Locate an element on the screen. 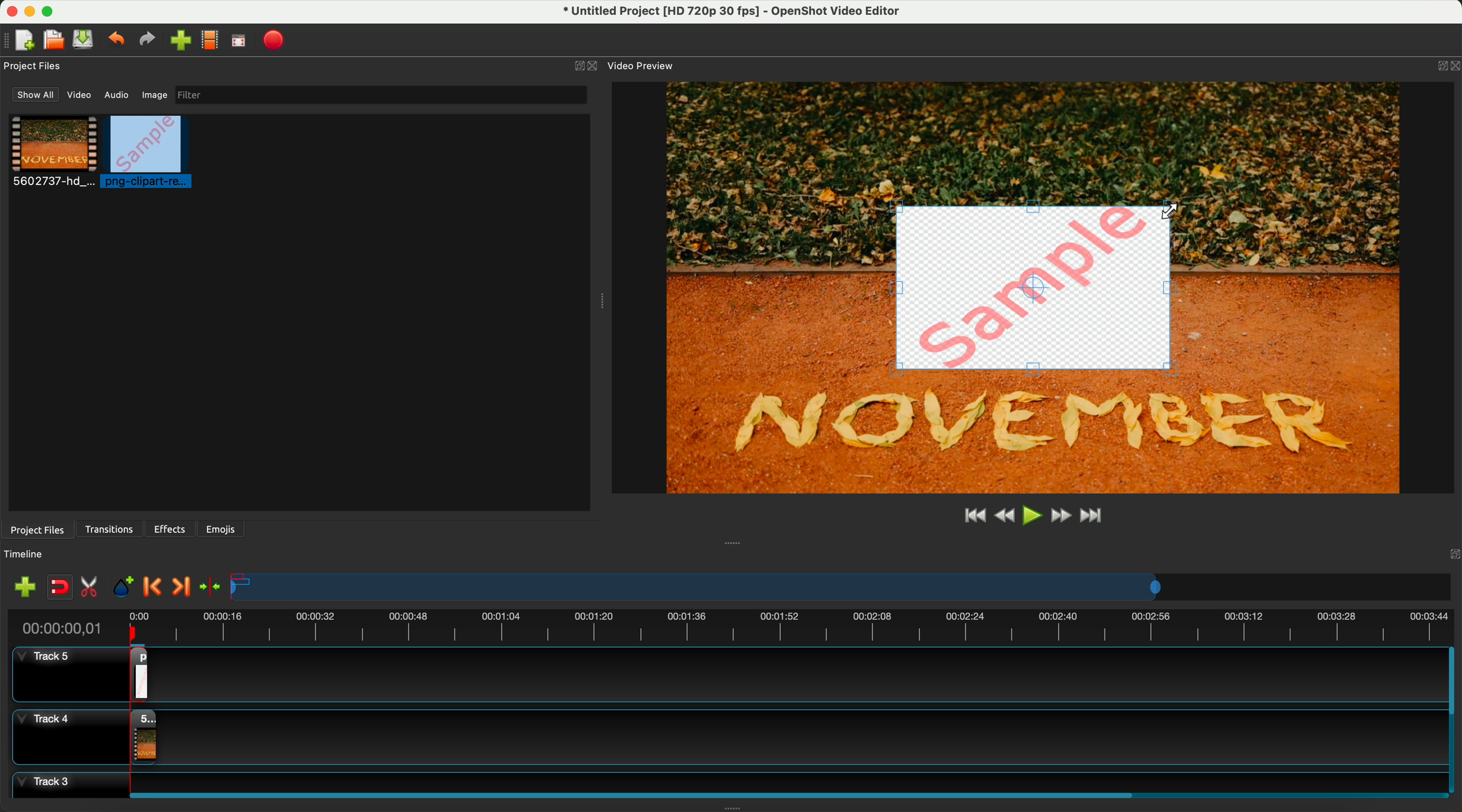 Image resolution: width=1462 pixels, height=812 pixels. emojis is located at coordinates (221, 527).